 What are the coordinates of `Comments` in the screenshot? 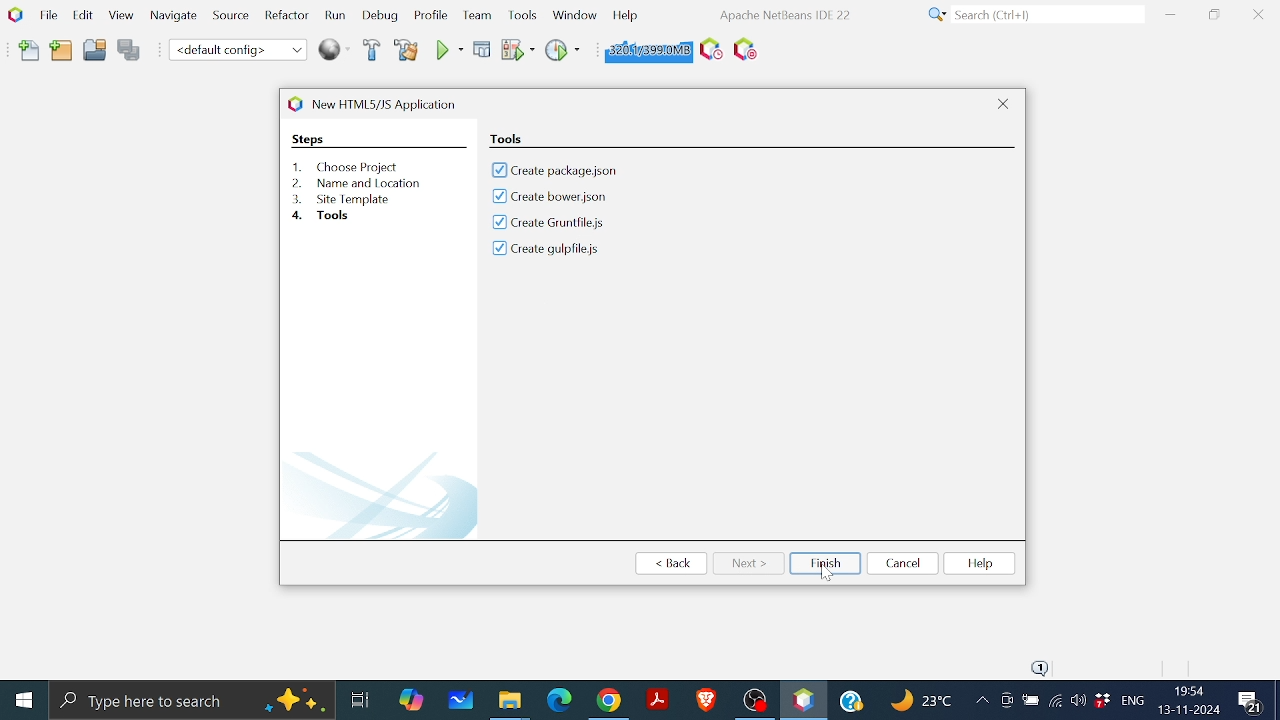 It's located at (1249, 700).